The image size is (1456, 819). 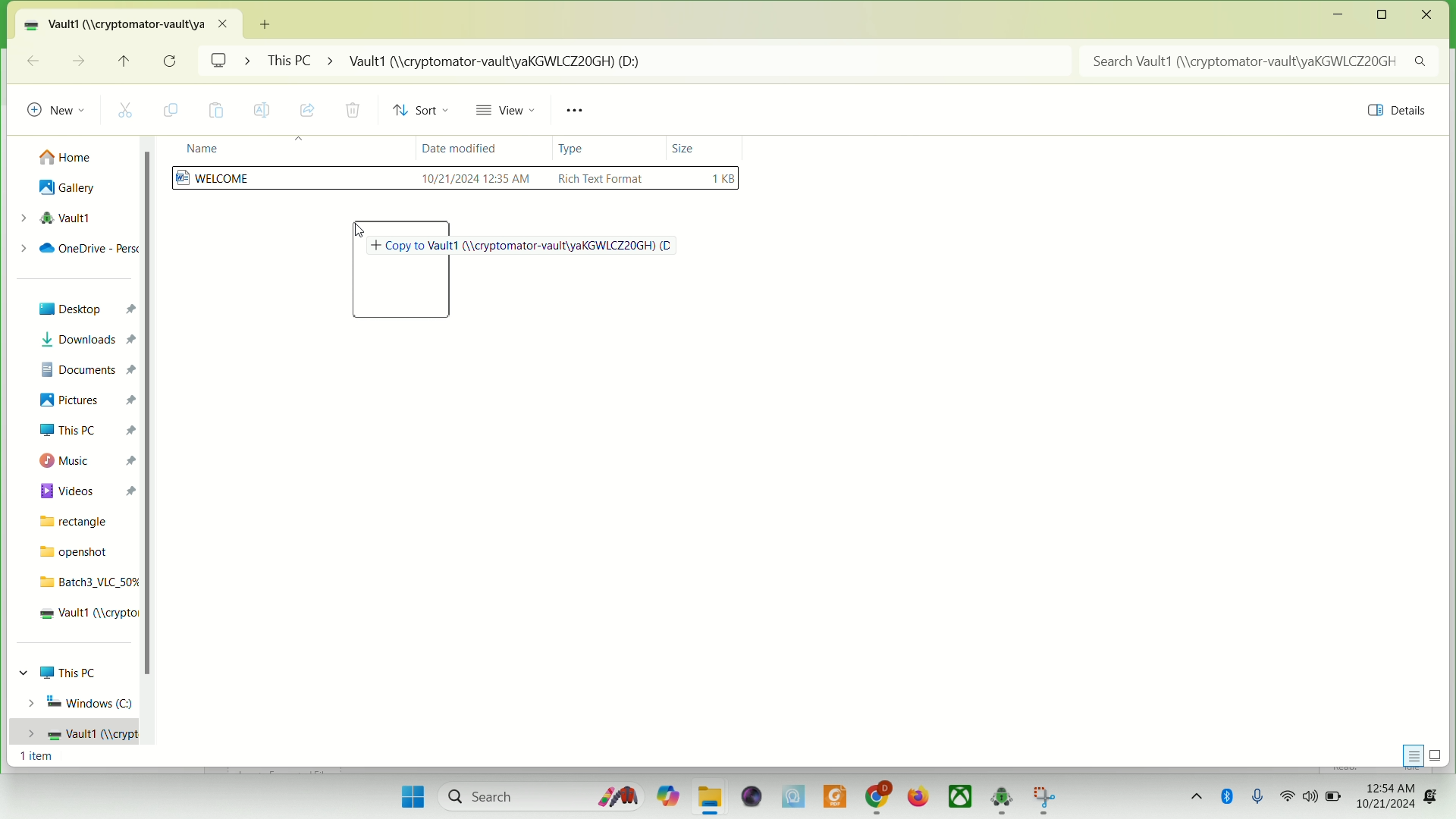 I want to click on this PC, so click(x=86, y=430).